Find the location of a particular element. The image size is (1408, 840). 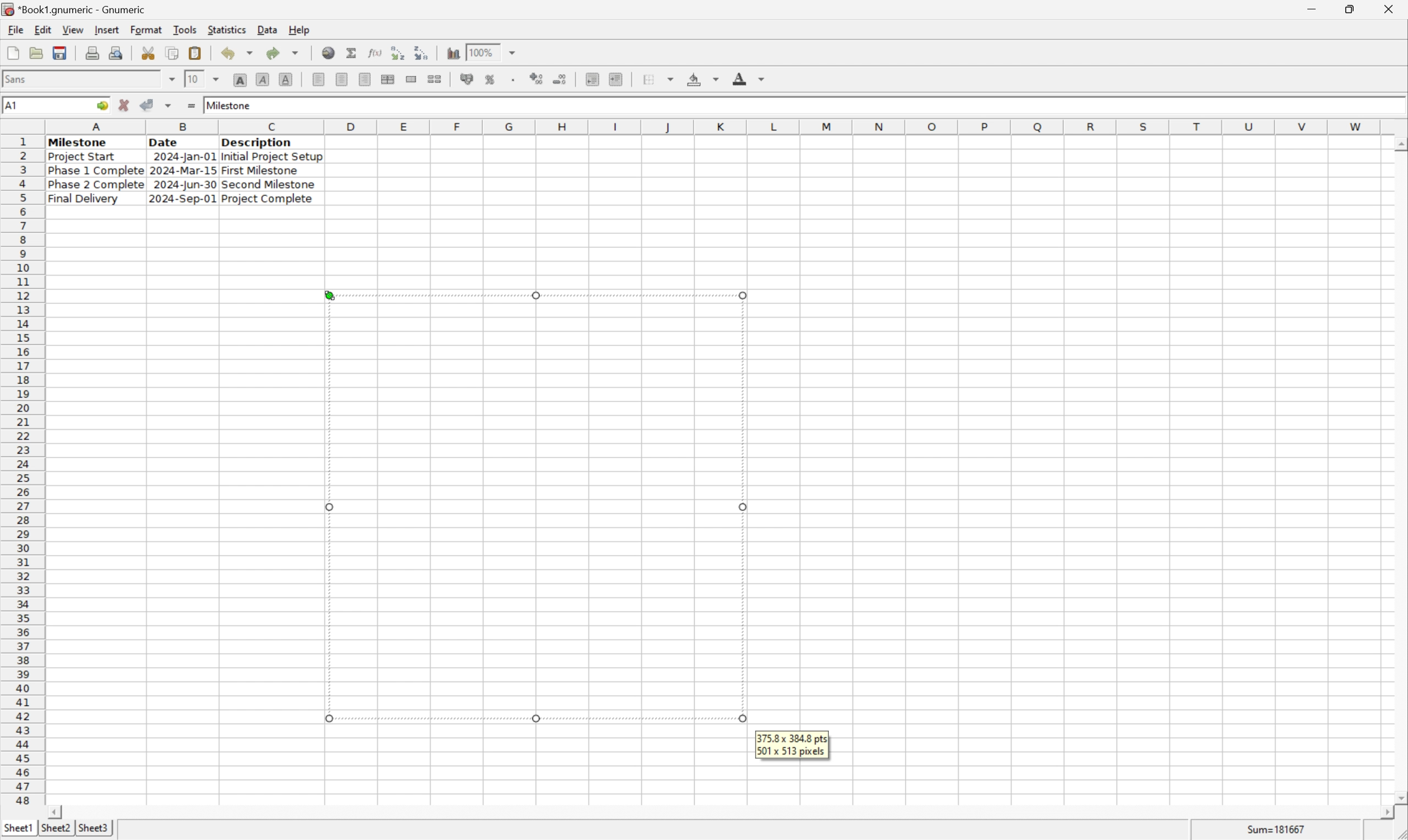

scroll bar is located at coordinates (1399, 470).